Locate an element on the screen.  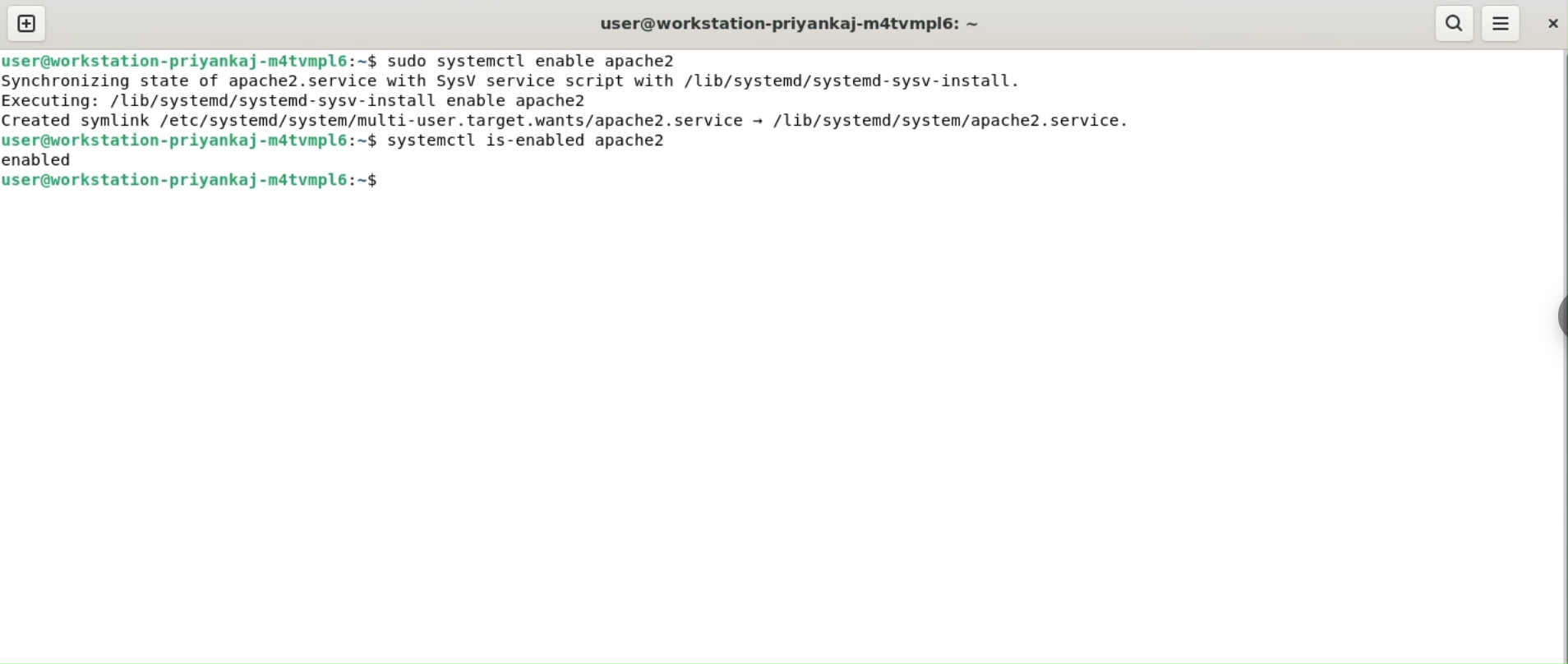
user@workstation-priyankaj-m4tvmpl6:~ is located at coordinates (786, 23).